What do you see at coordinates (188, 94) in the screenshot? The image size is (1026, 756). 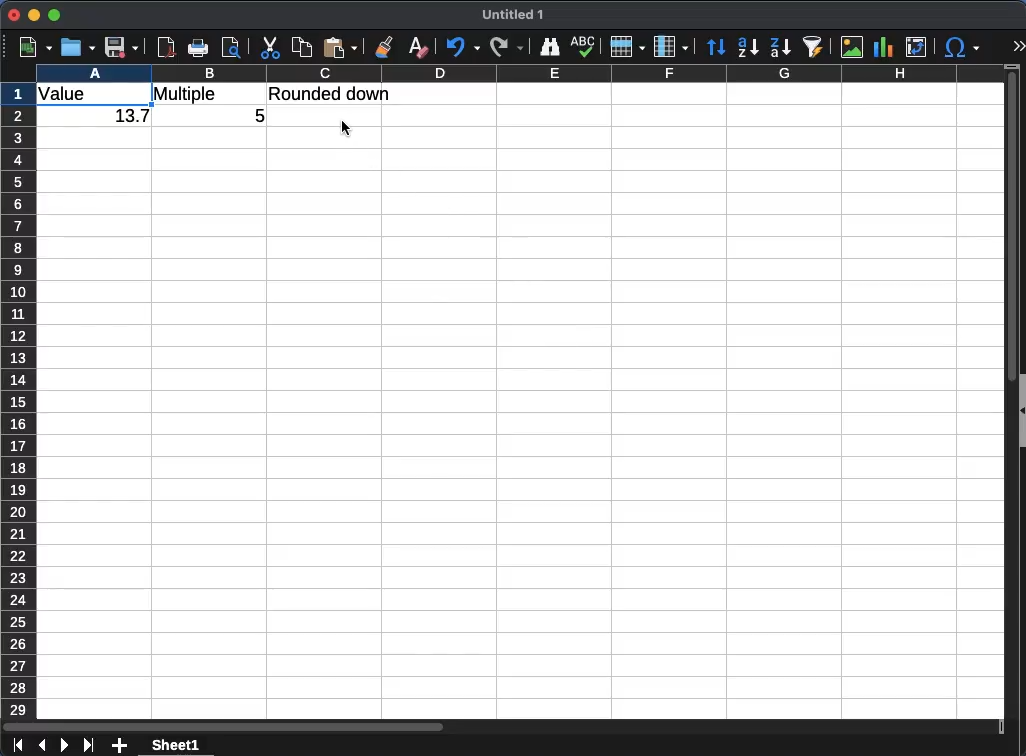 I see `multiple` at bounding box center [188, 94].